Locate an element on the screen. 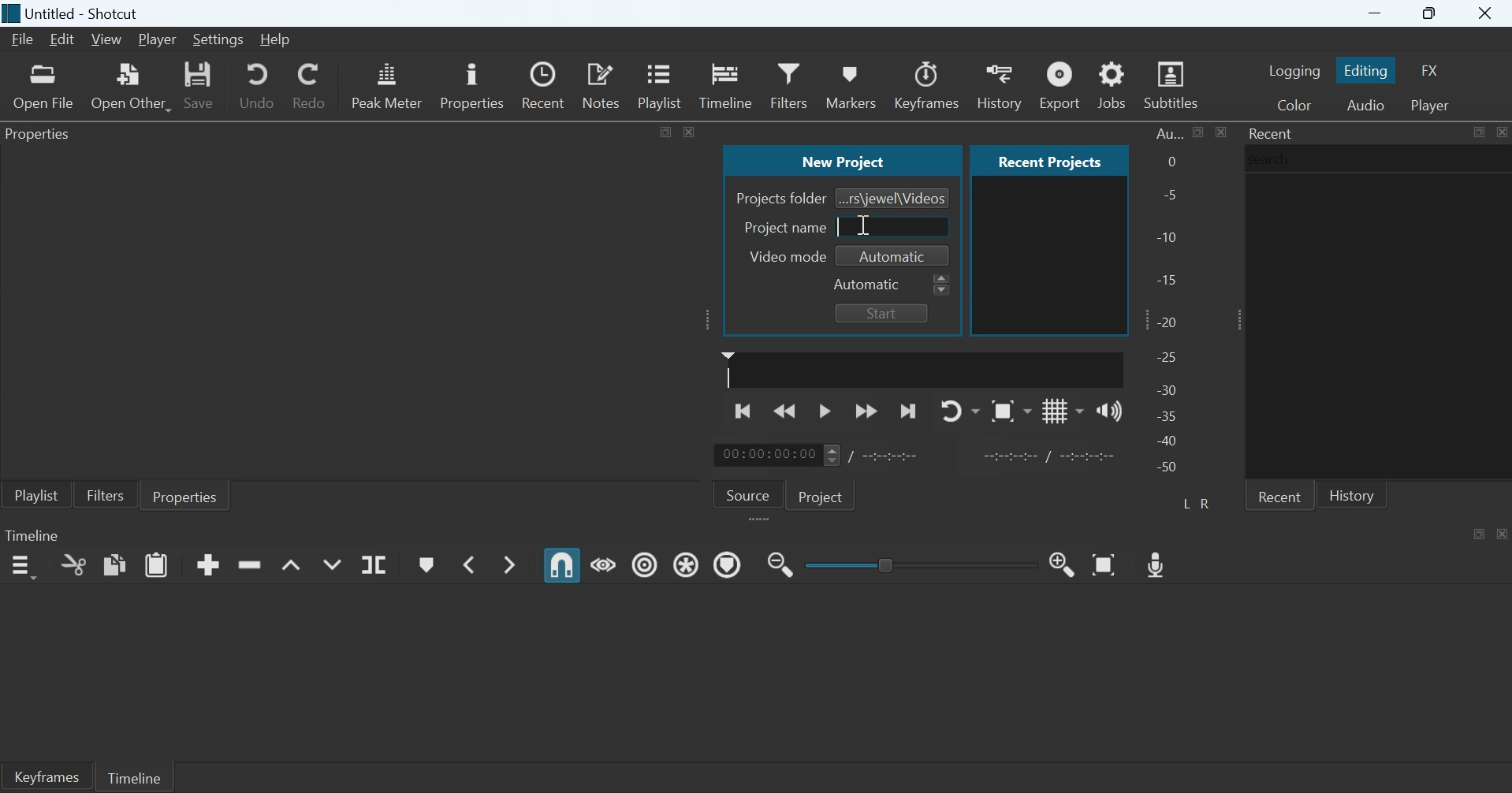  View is located at coordinates (105, 40).